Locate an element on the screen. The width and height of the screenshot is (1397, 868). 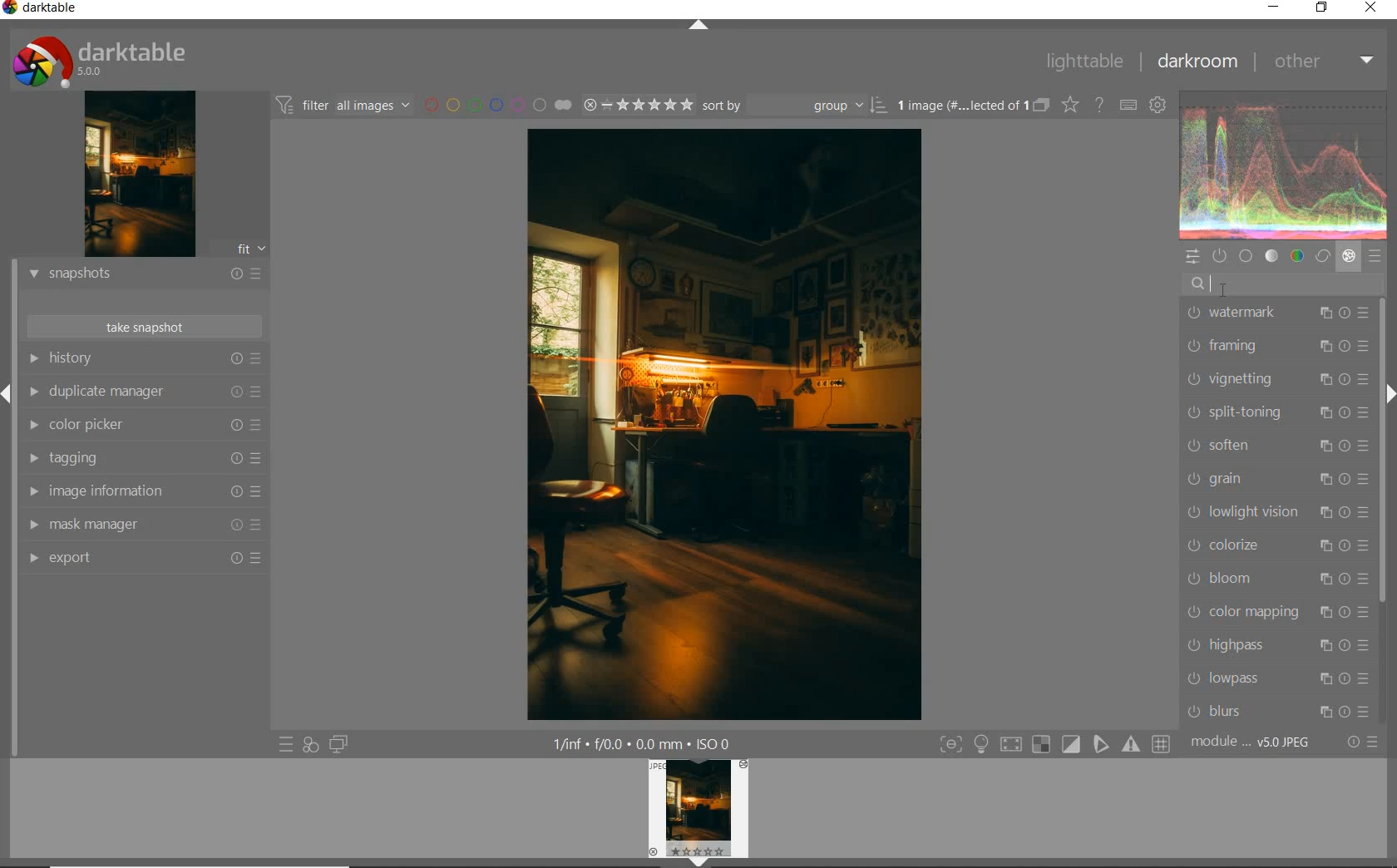
blurs is located at coordinates (1277, 711).